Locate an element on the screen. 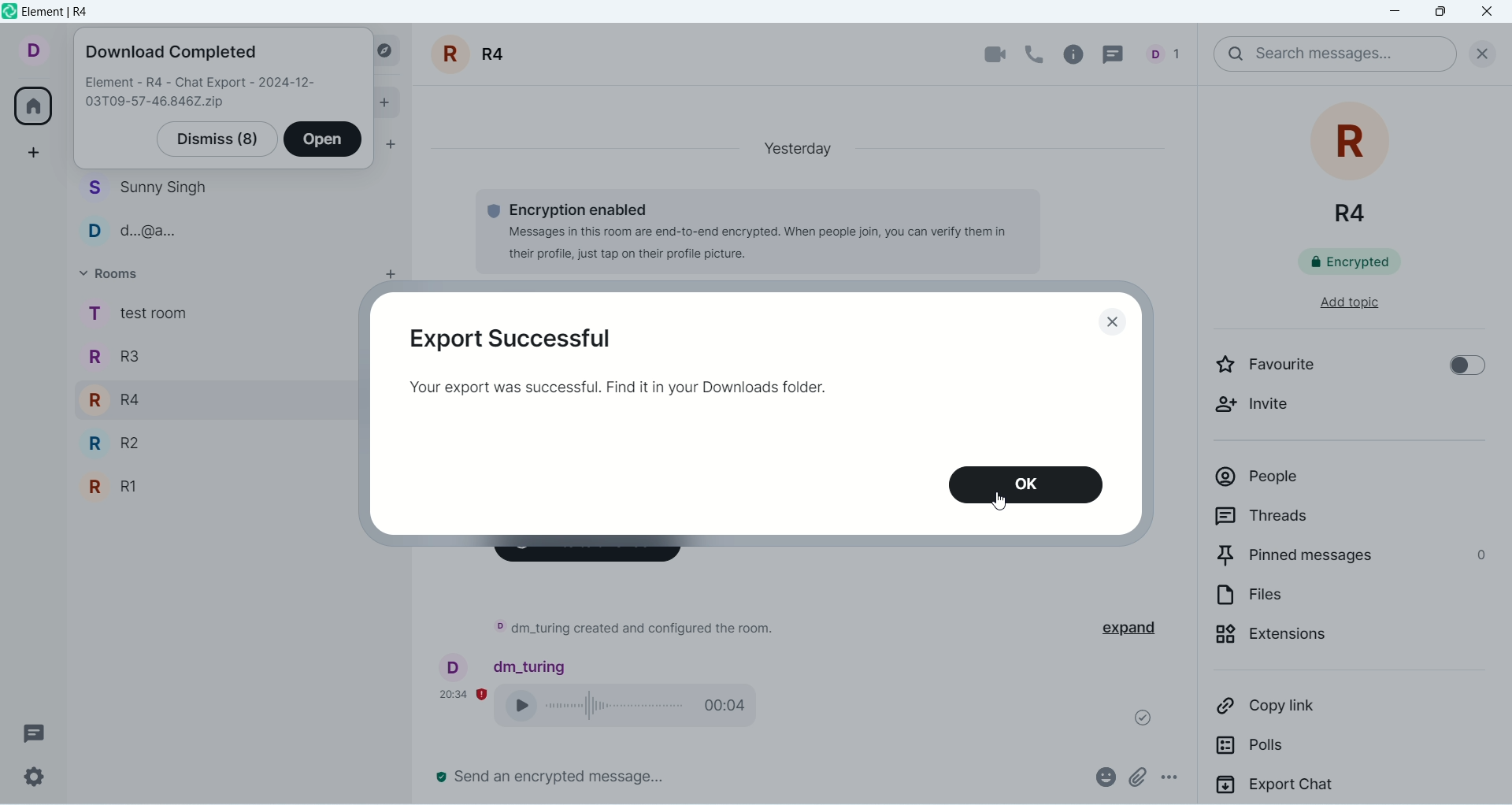  add is located at coordinates (384, 278).